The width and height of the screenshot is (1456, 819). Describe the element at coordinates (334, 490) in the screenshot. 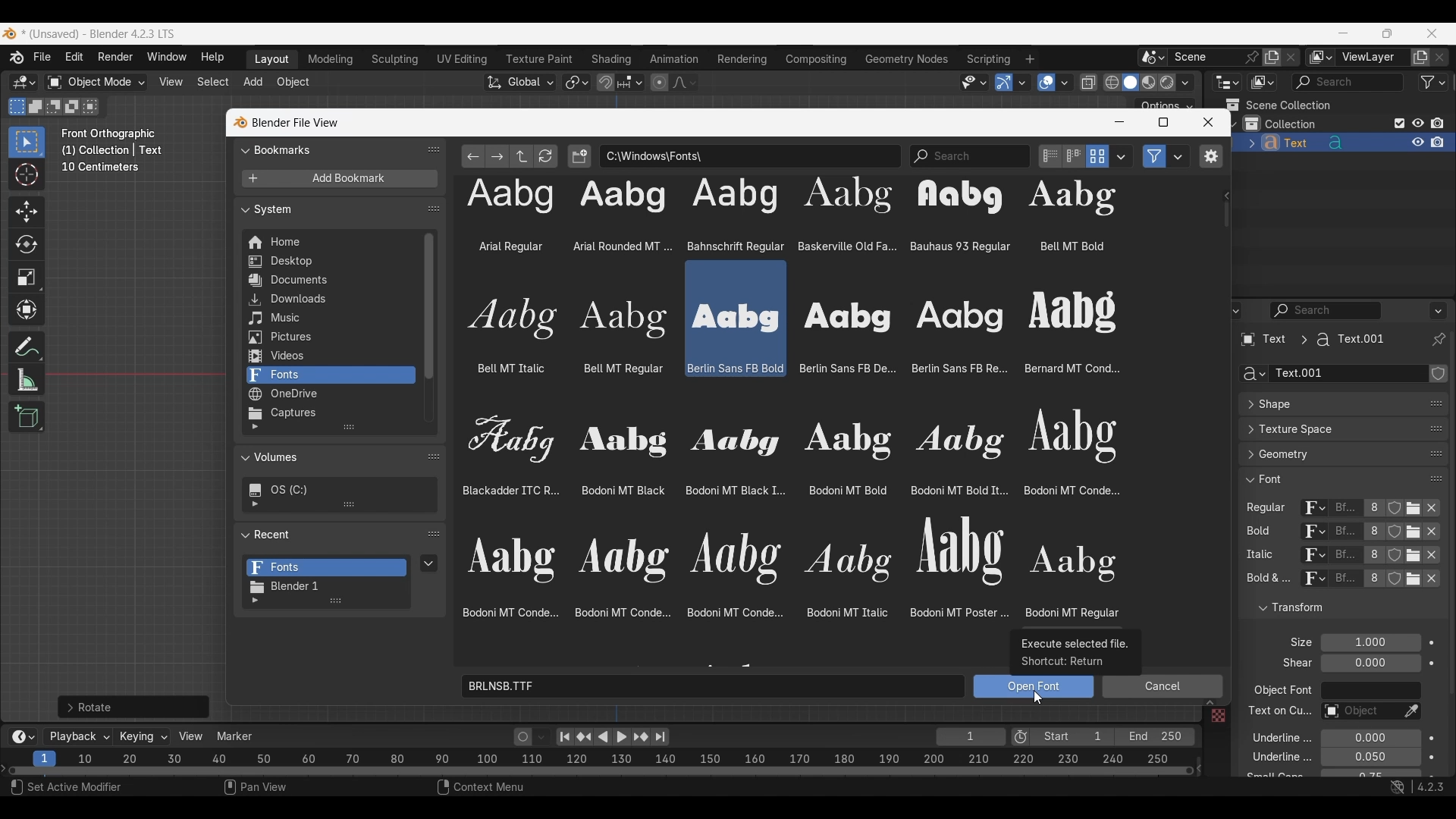

I see `Current drive` at that location.